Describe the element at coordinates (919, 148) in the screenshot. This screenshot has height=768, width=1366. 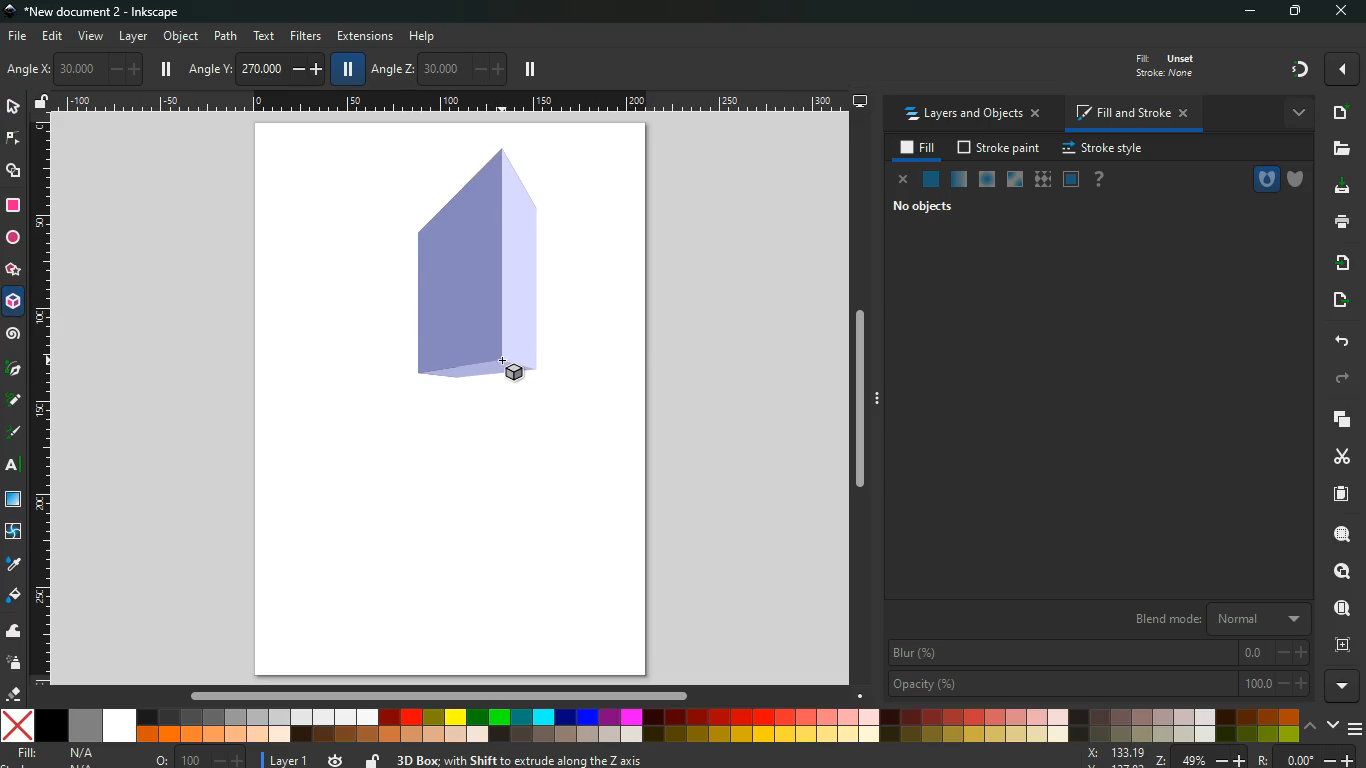
I see `fill` at that location.